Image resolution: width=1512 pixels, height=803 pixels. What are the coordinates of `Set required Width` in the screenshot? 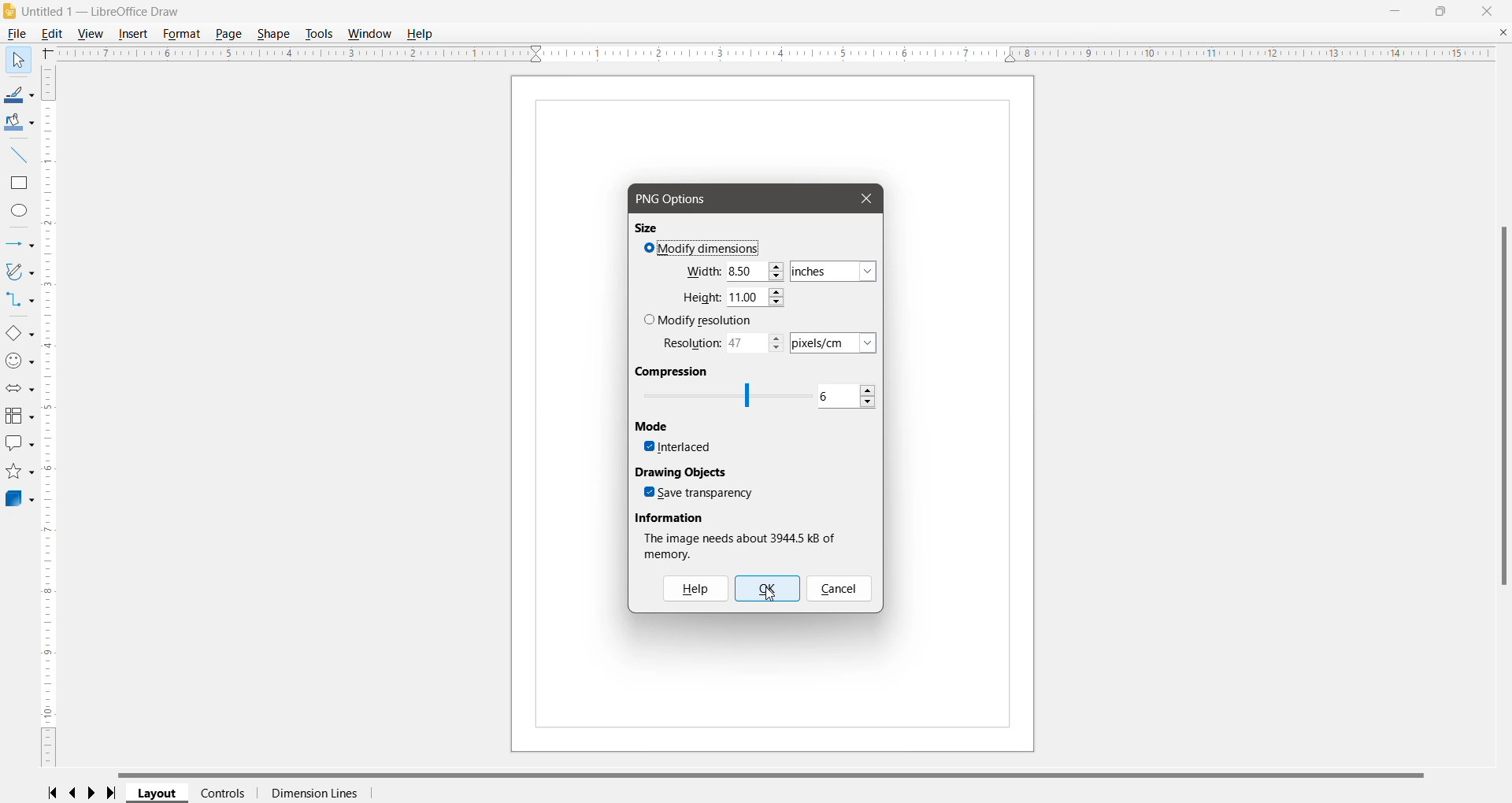 It's located at (733, 272).